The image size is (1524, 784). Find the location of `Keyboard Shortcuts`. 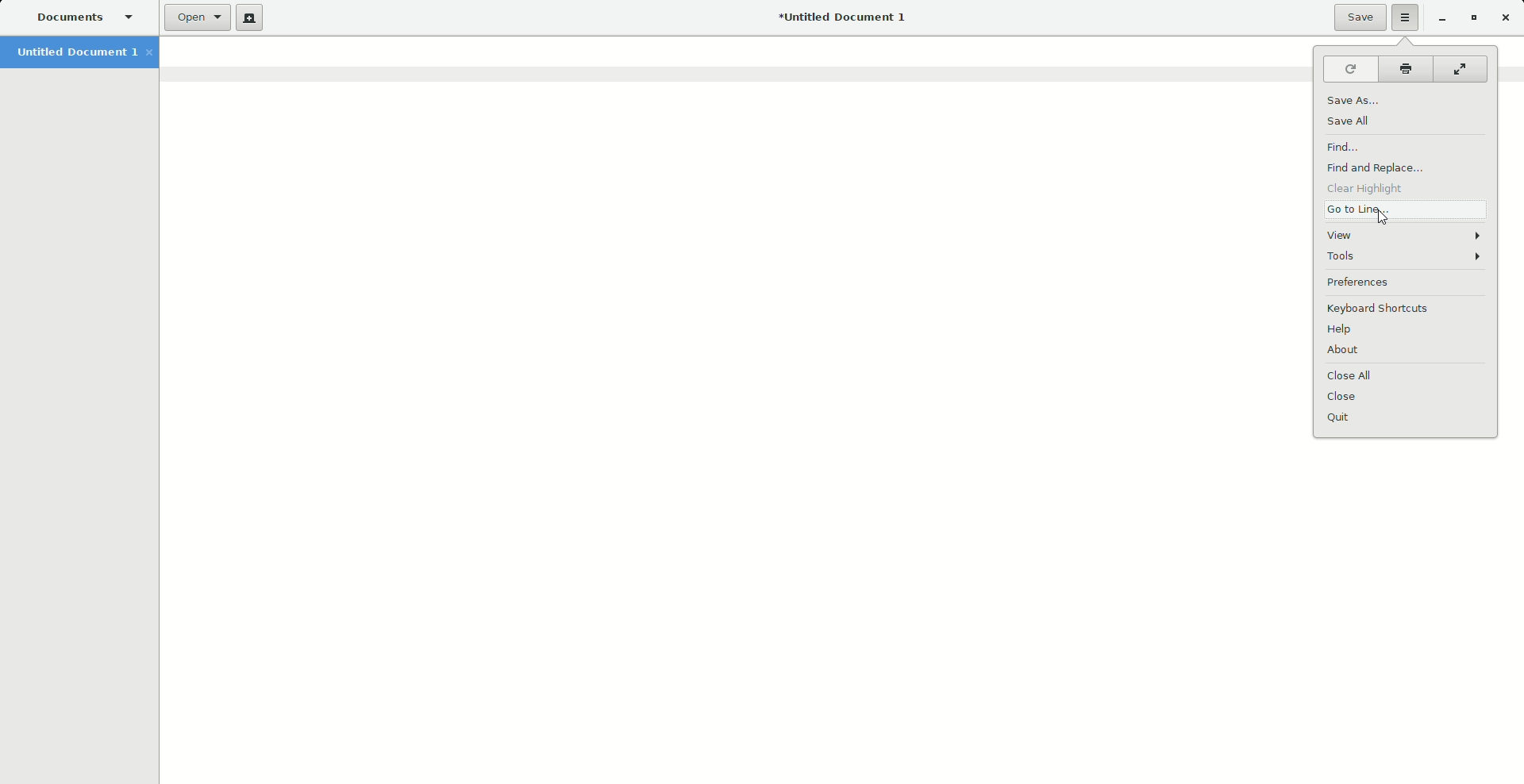

Keyboard Shortcuts is located at coordinates (1390, 309).